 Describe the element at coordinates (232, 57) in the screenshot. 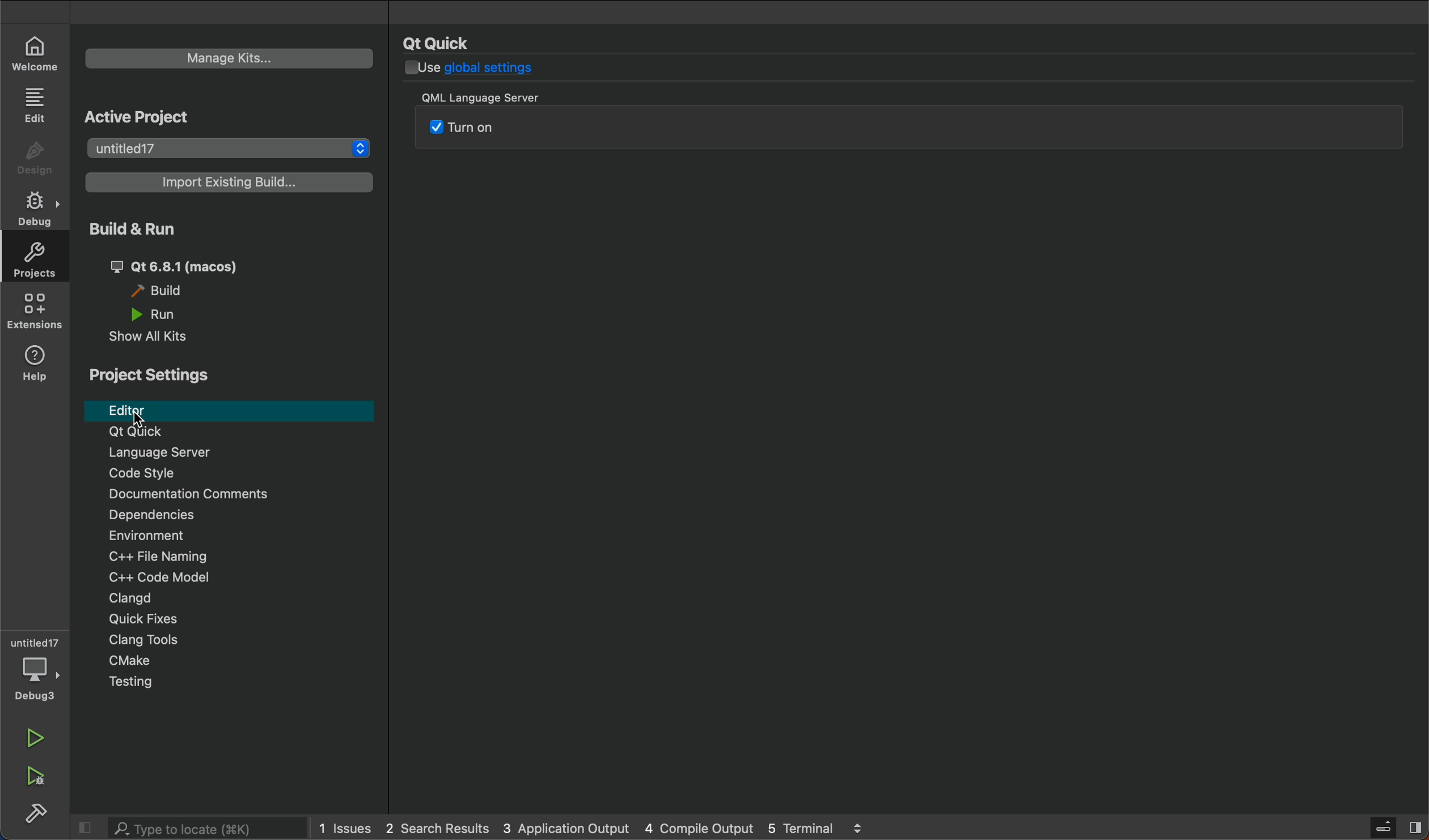

I see `manage kits` at that location.